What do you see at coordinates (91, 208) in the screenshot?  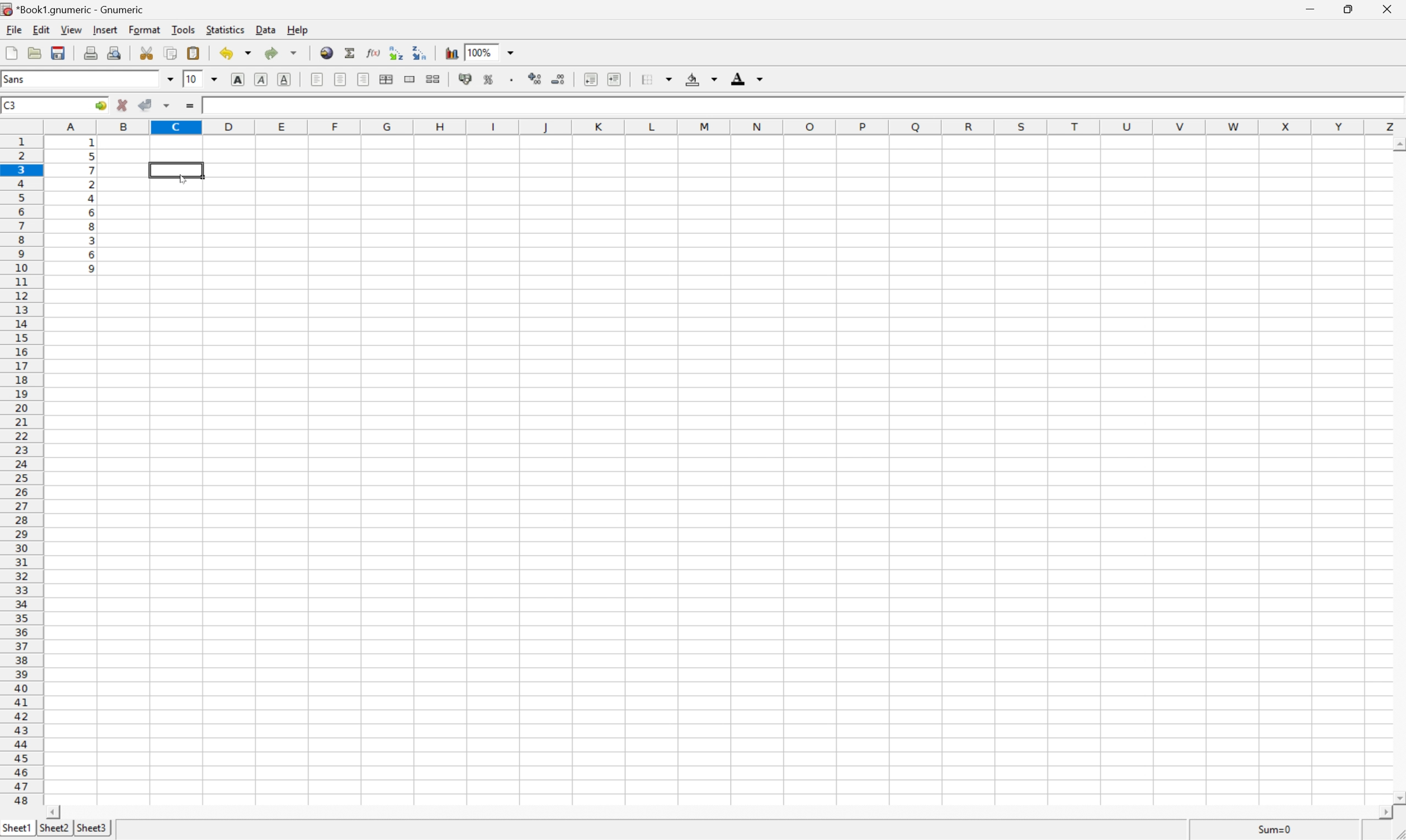 I see `random numbers` at bounding box center [91, 208].